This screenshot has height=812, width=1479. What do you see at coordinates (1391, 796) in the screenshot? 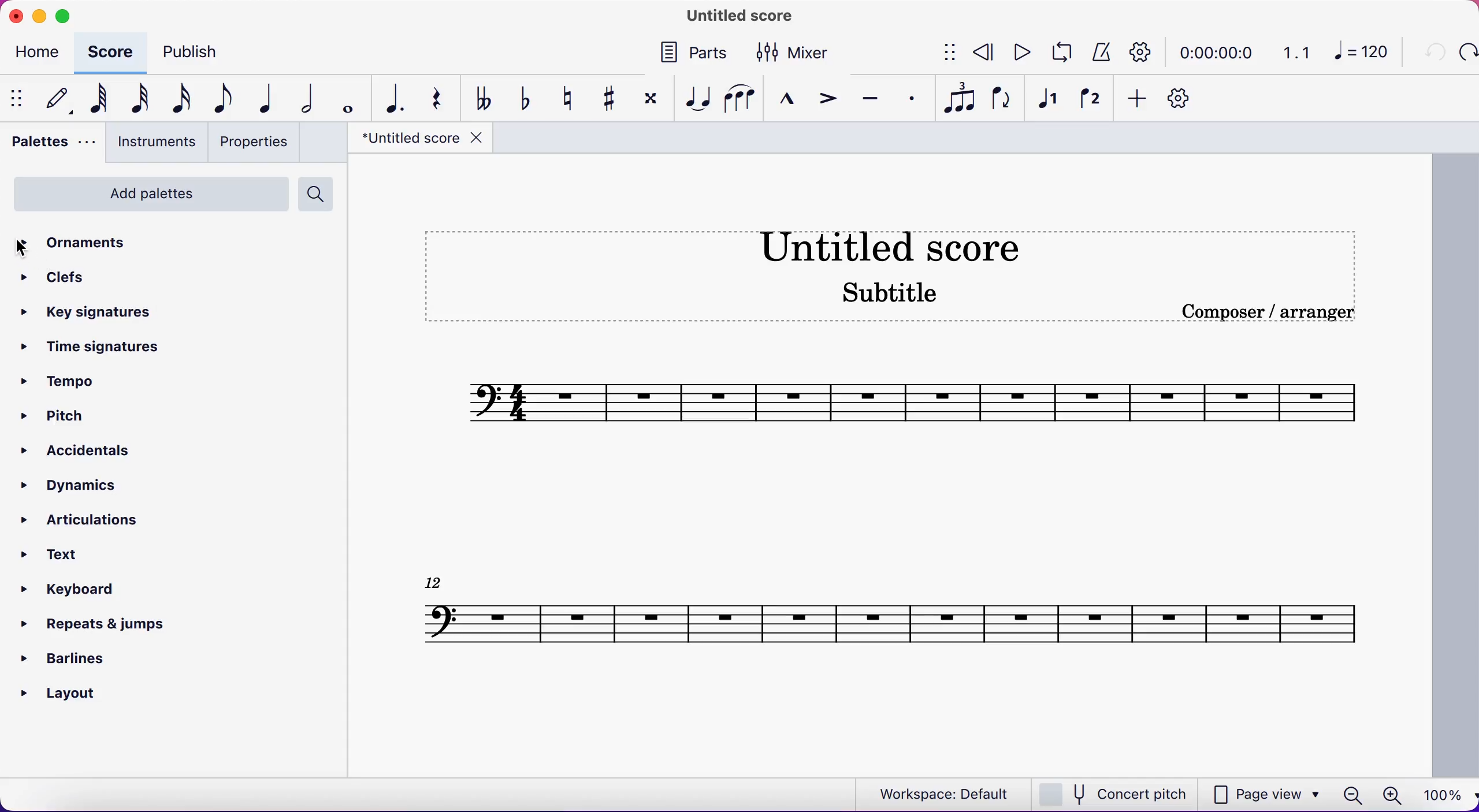
I see `zoom in` at bounding box center [1391, 796].